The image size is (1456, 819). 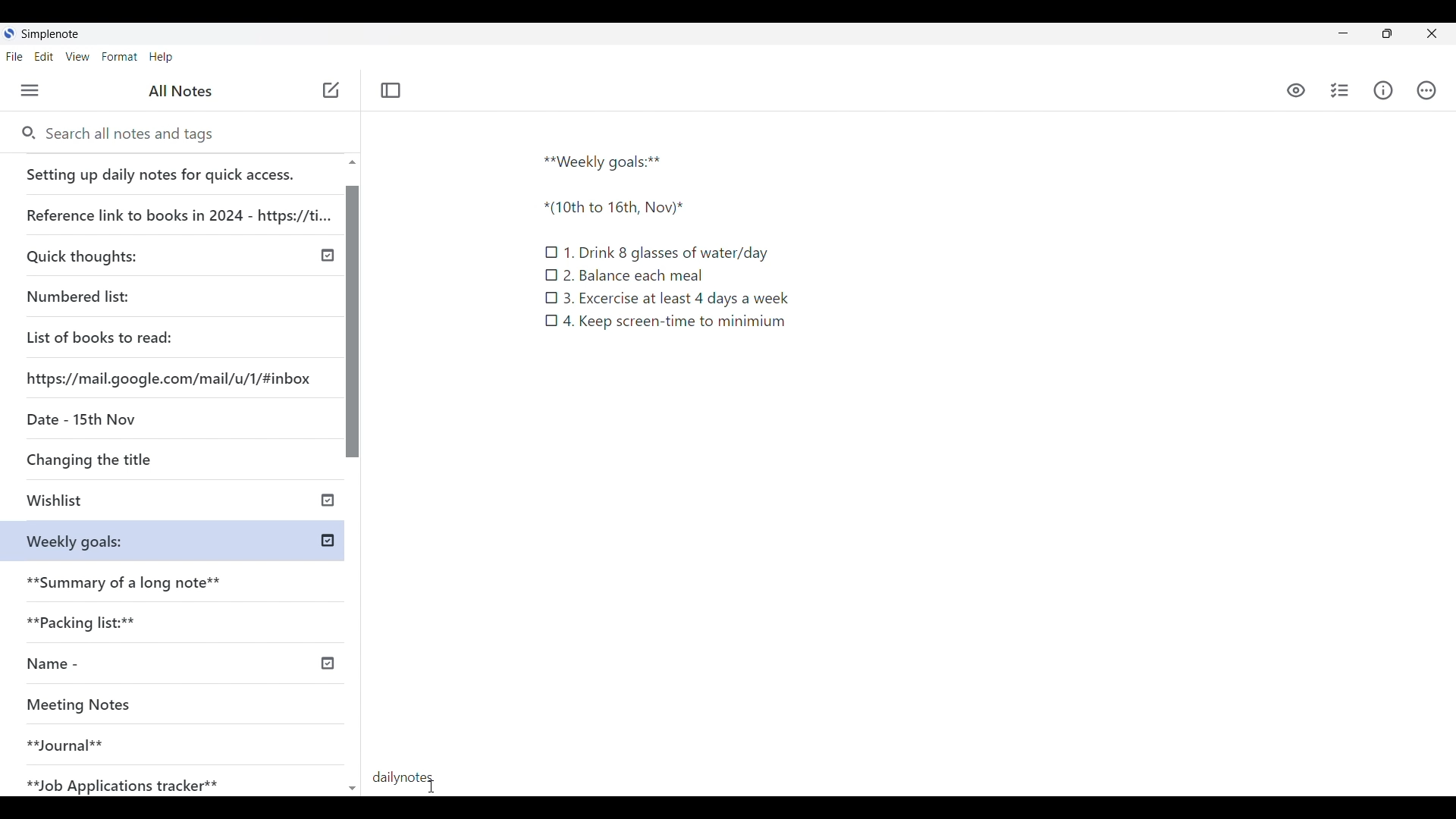 I want to click on Actions, so click(x=1425, y=89).